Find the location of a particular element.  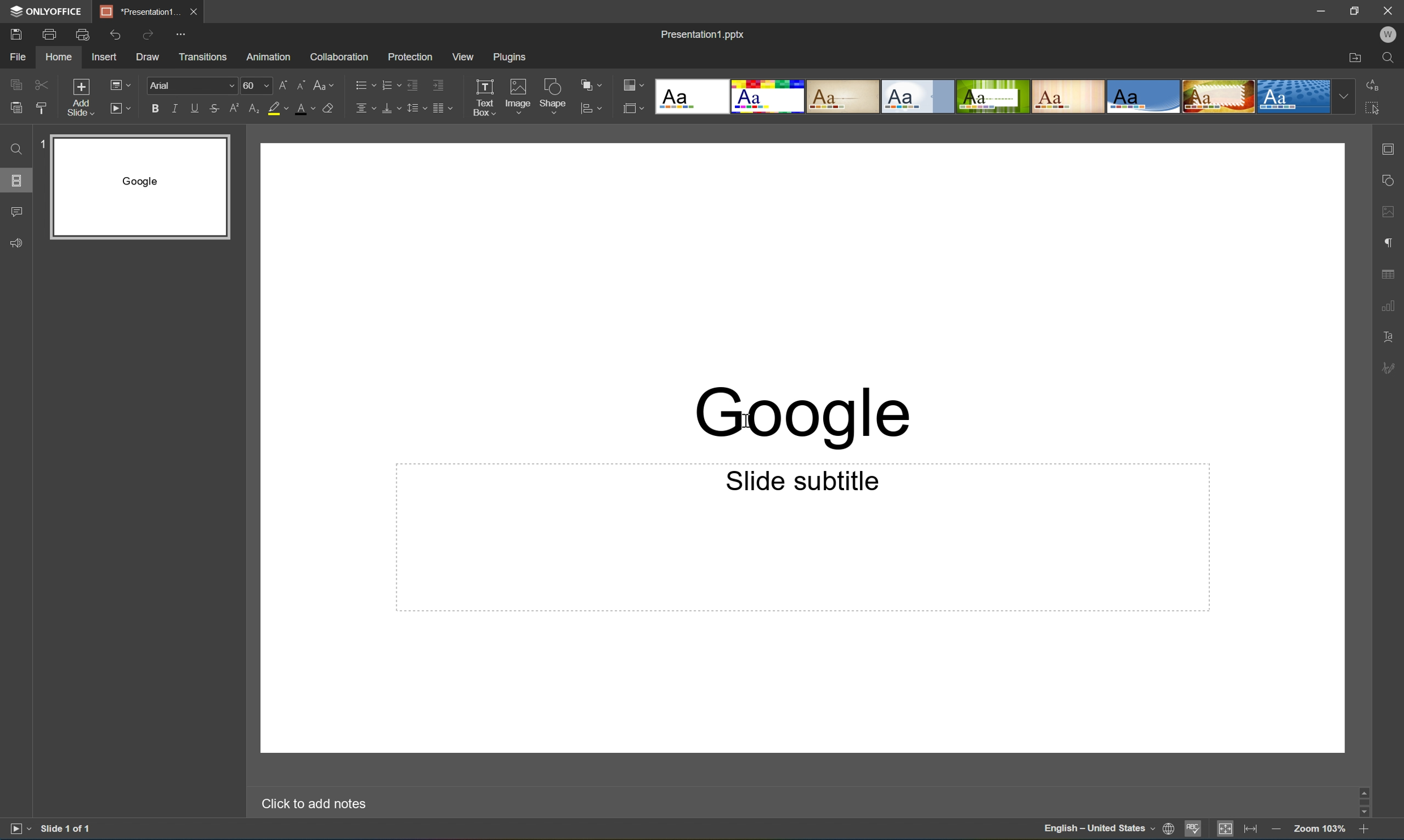

Paste is located at coordinates (16, 108).